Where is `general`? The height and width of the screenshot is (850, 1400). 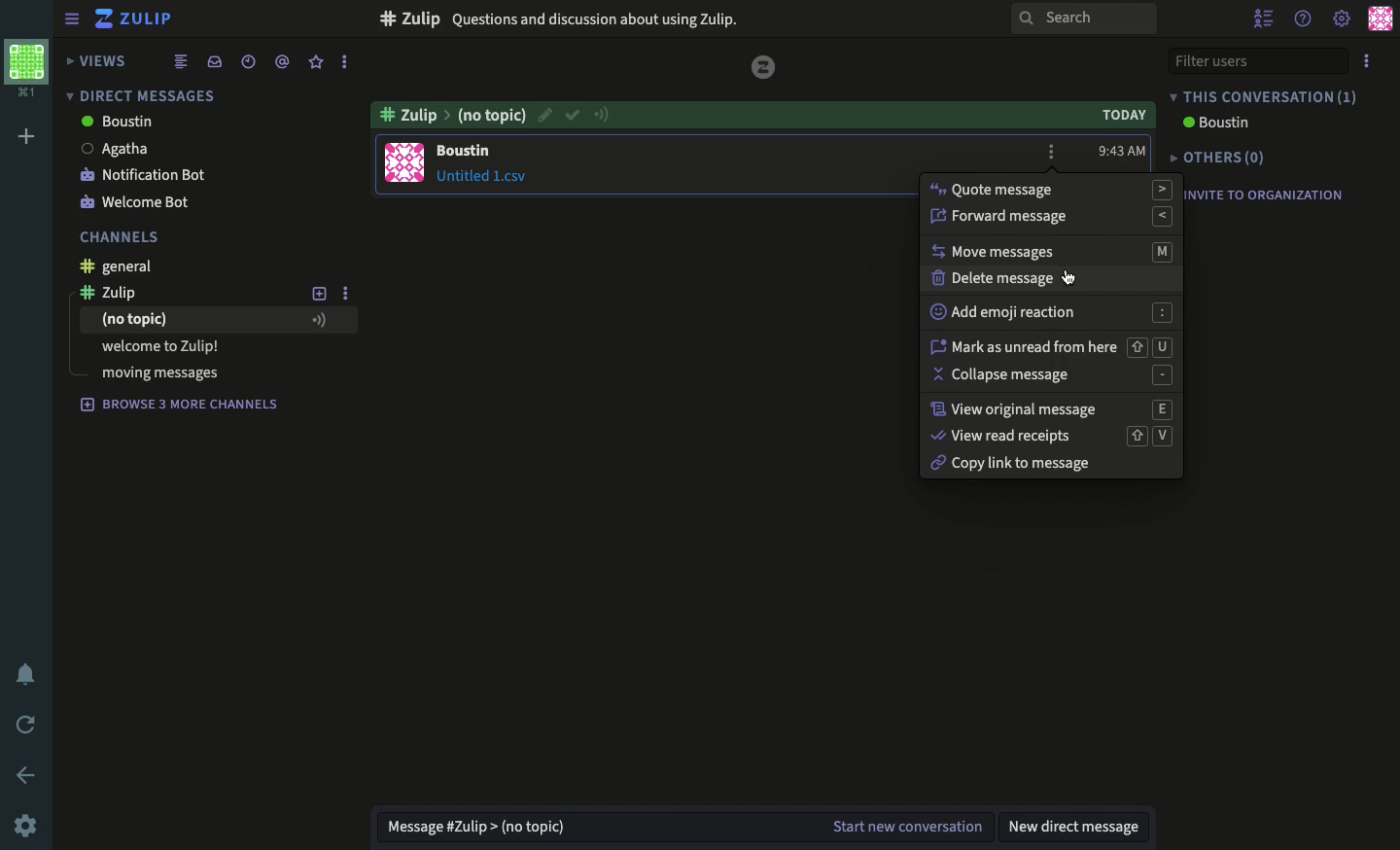 general is located at coordinates (123, 266).